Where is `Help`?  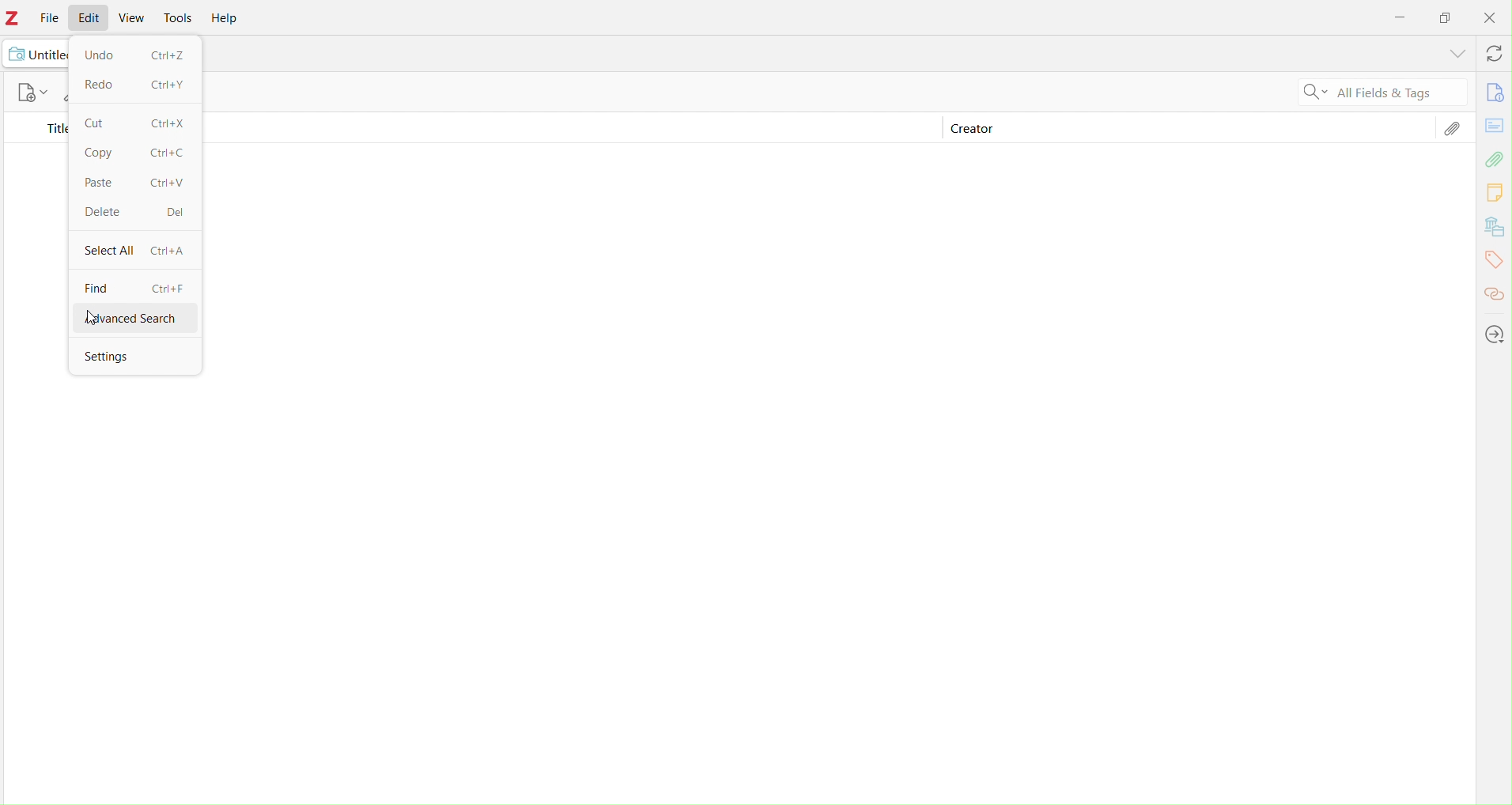 Help is located at coordinates (229, 20).